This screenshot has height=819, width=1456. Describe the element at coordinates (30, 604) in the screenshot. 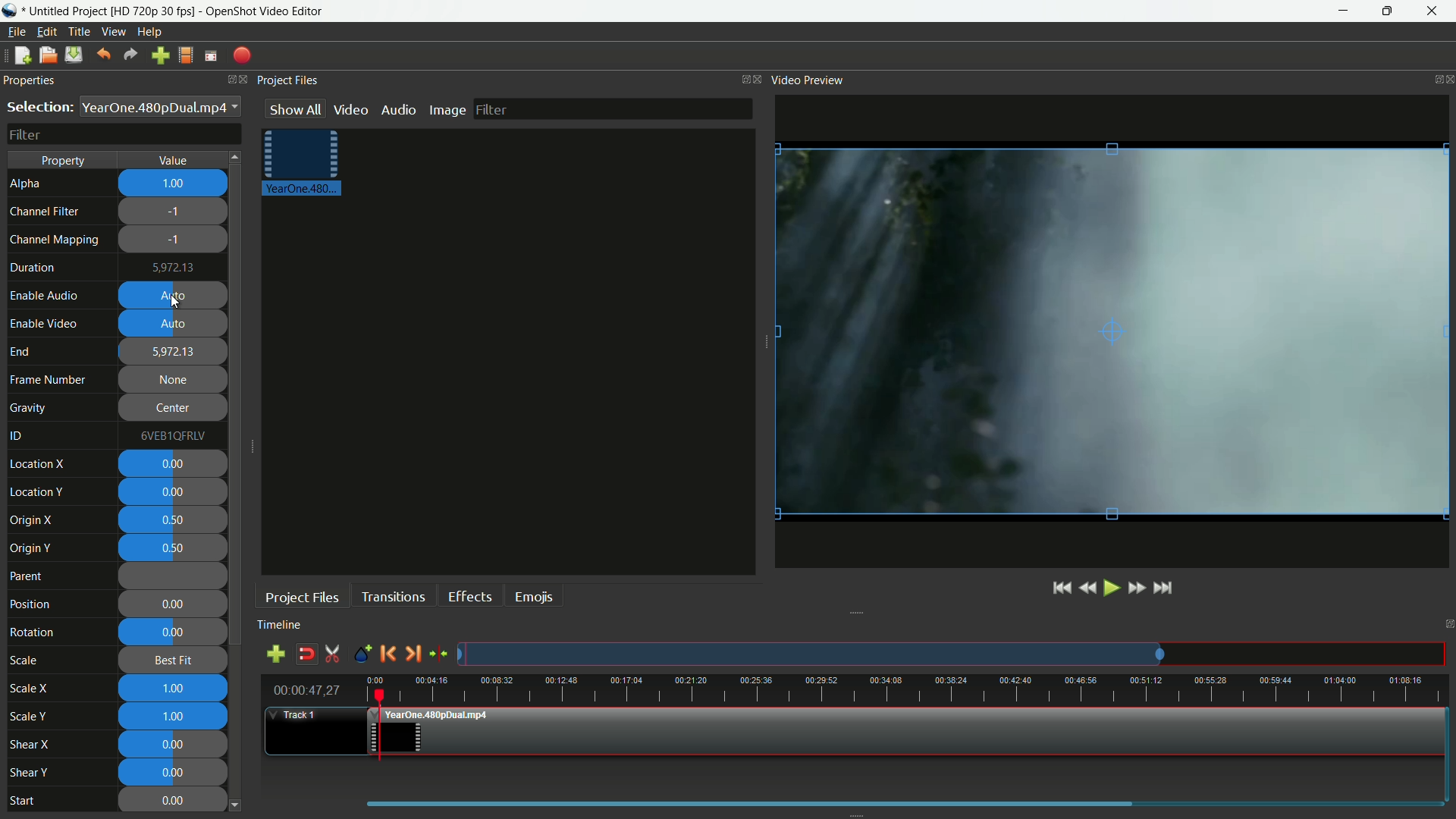

I see `position` at that location.